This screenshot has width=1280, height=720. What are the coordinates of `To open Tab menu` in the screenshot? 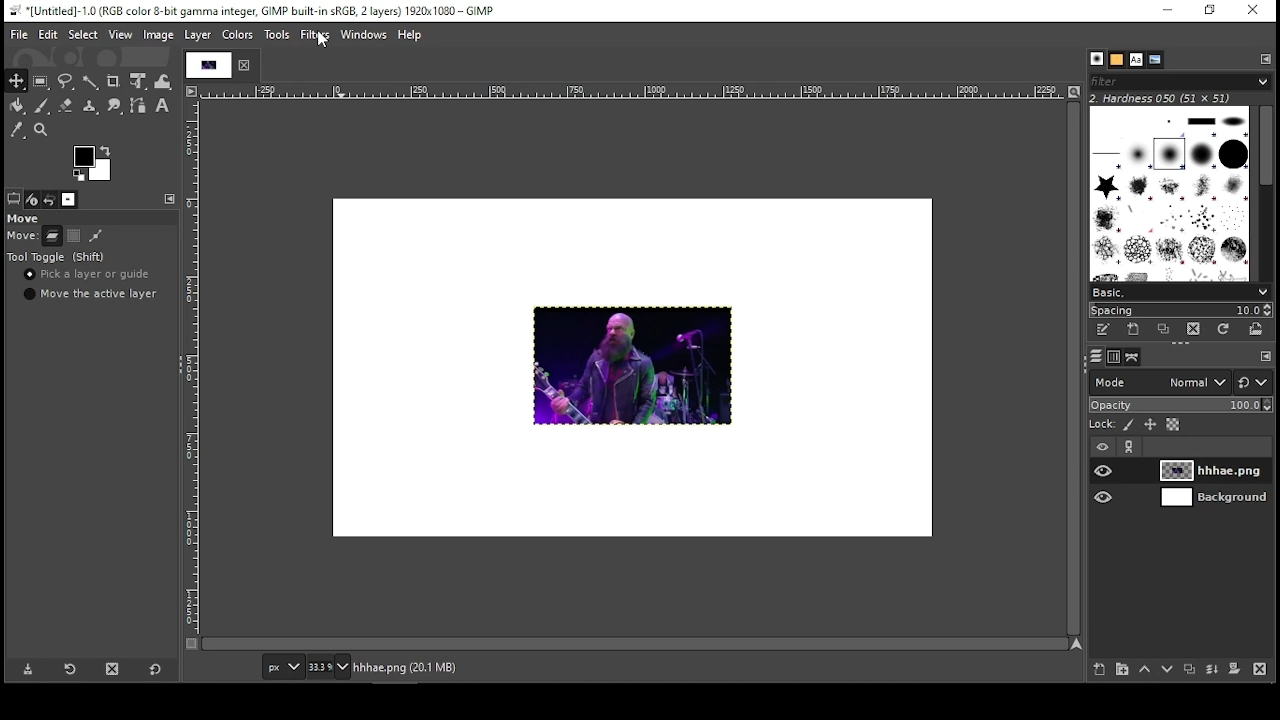 It's located at (1265, 357).